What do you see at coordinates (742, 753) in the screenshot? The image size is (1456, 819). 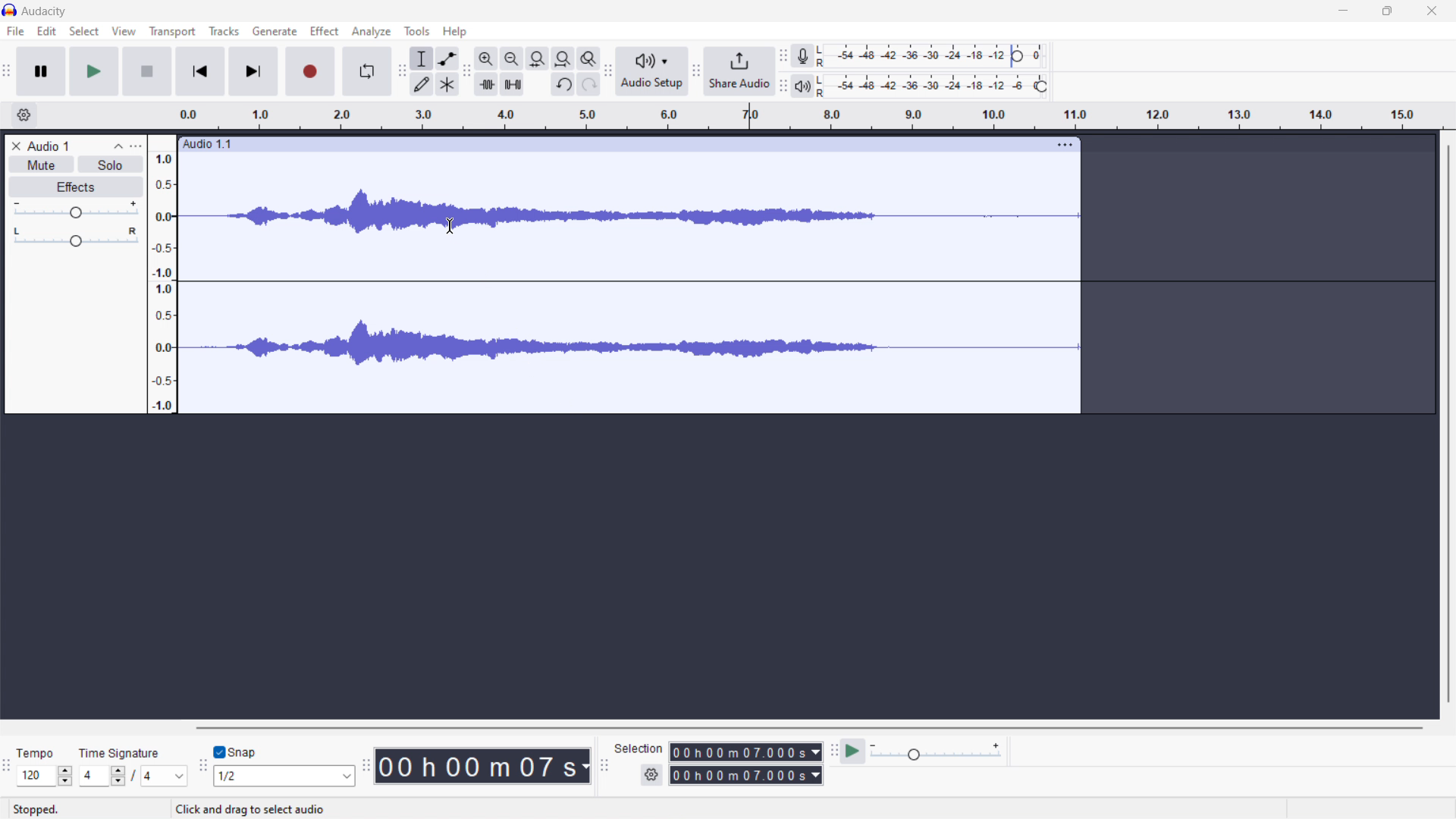 I see `00 h 00 m 0.7000s` at bounding box center [742, 753].